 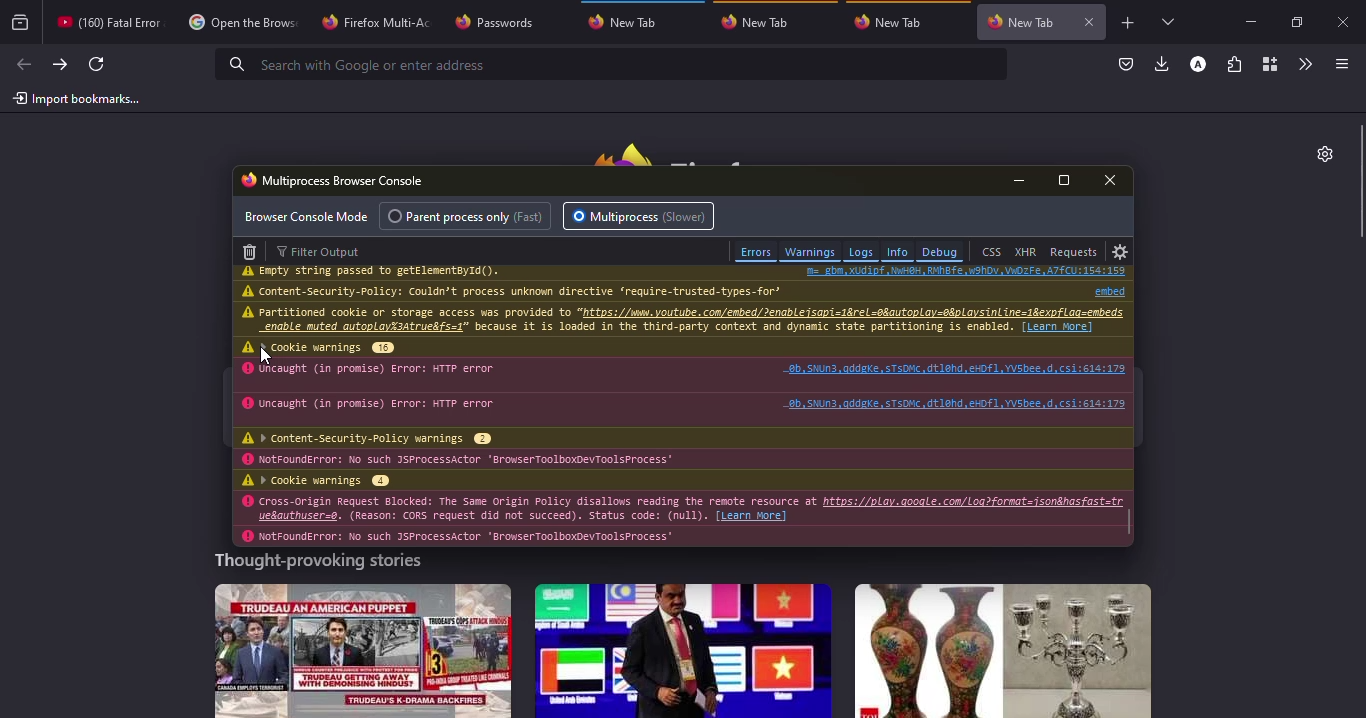 What do you see at coordinates (1023, 180) in the screenshot?
I see `minimize` at bounding box center [1023, 180].